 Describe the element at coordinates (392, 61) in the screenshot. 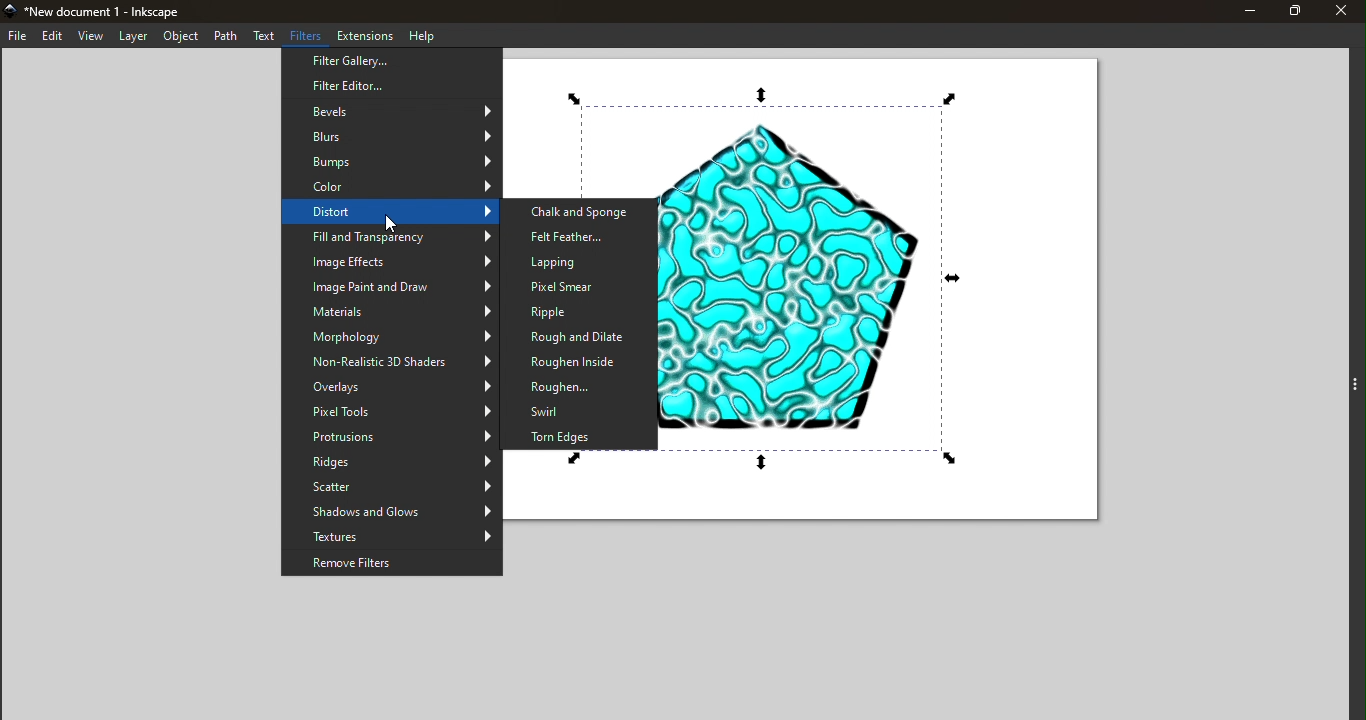

I see `Filter Gallery` at that location.